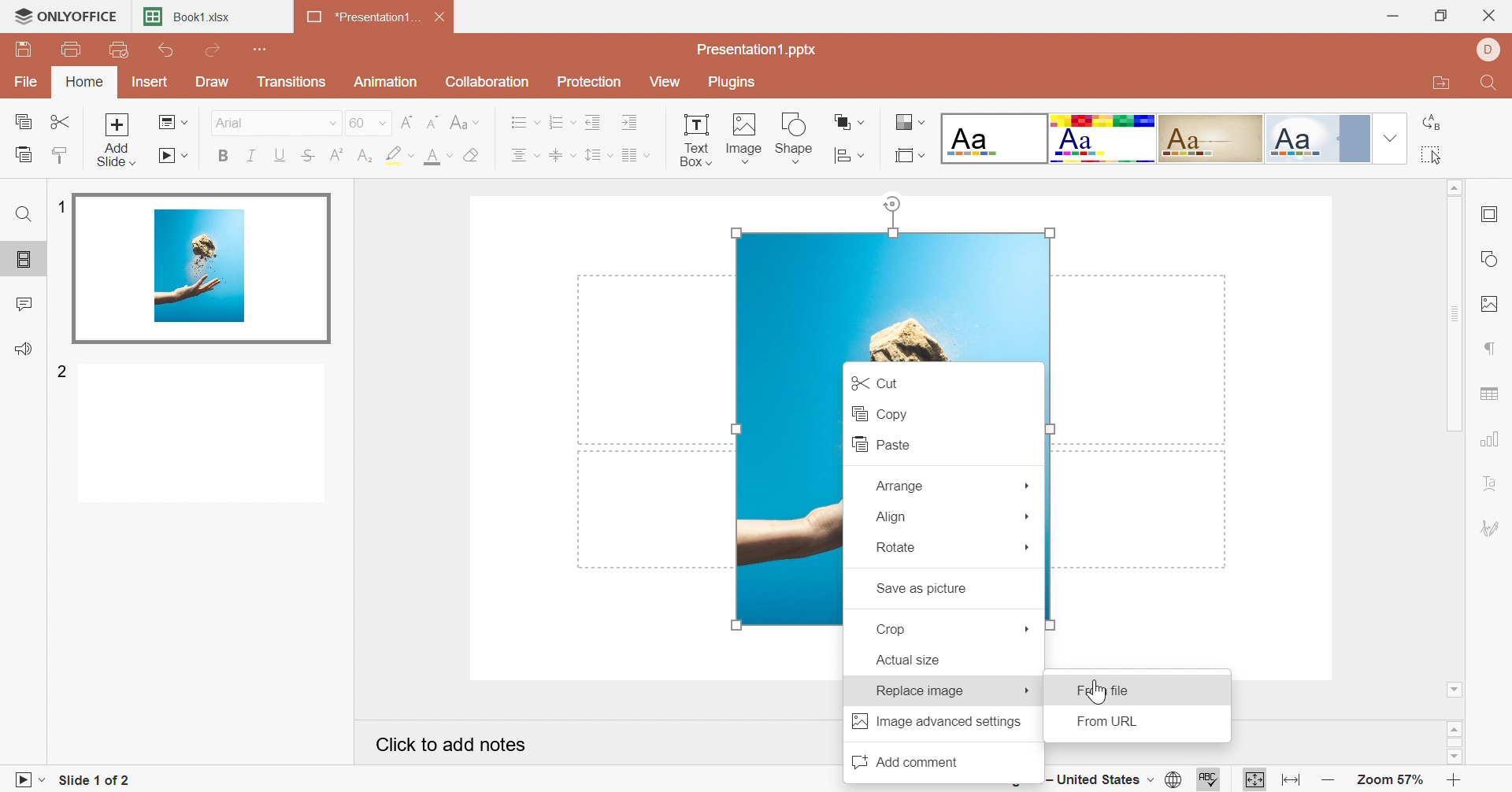 This screenshot has width=1512, height=792. Describe the element at coordinates (24, 348) in the screenshot. I see `Feedback & Support` at that location.